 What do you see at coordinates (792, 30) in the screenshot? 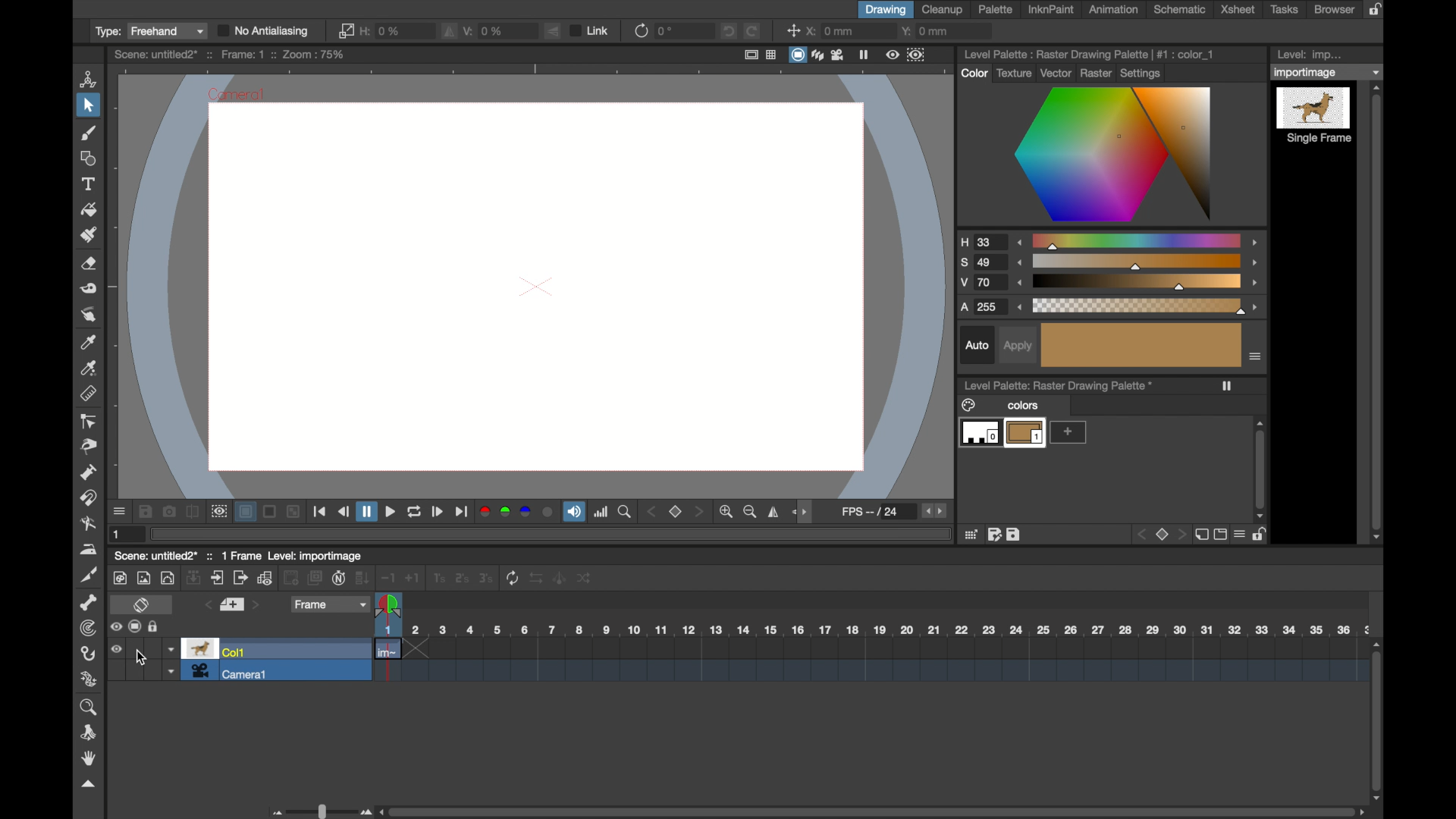
I see `center` at bounding box center [792, 30].